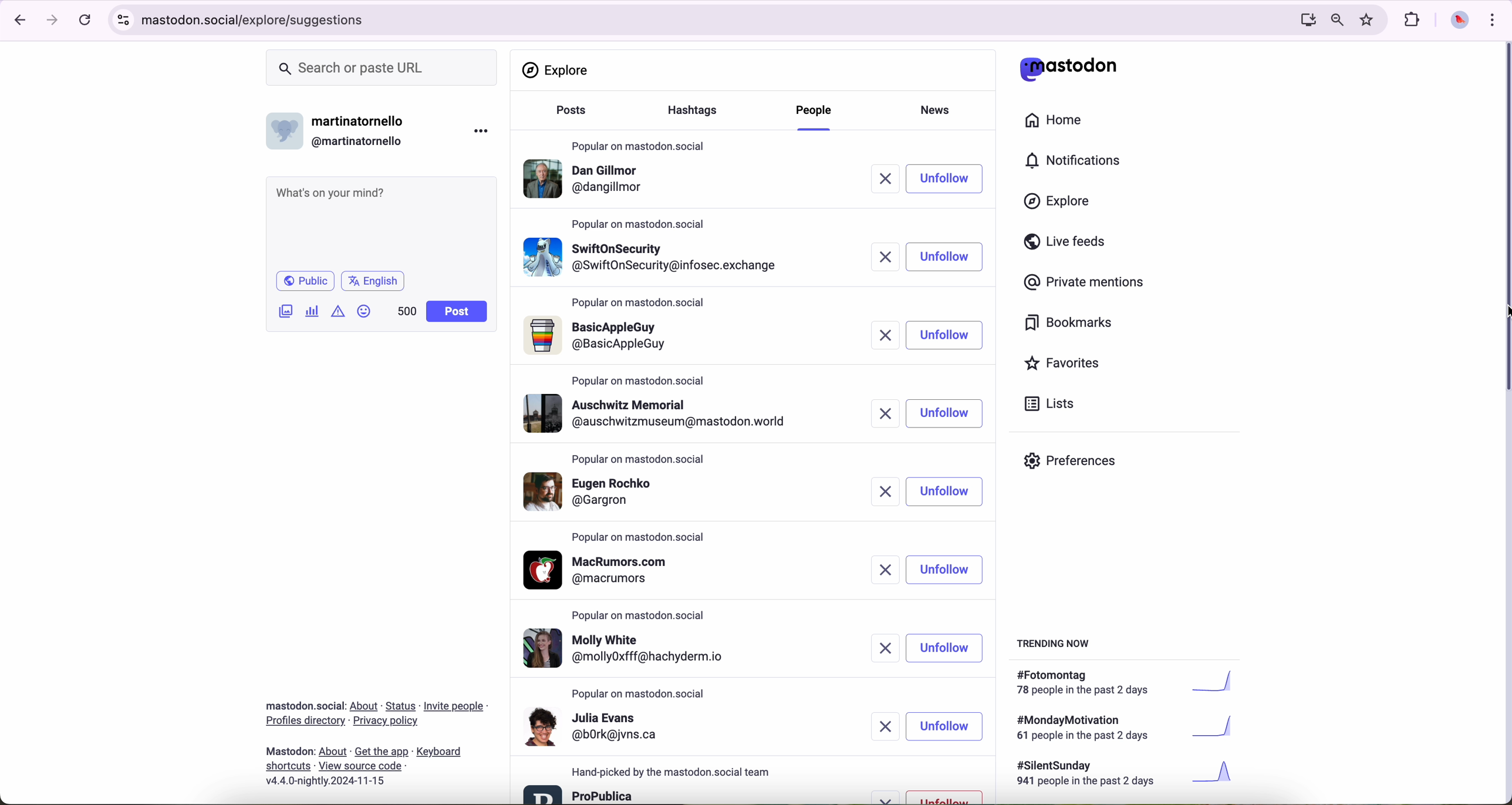  Describe the element at coordinates (1413, 20) in the screenshot. I see `extensions` at that location.